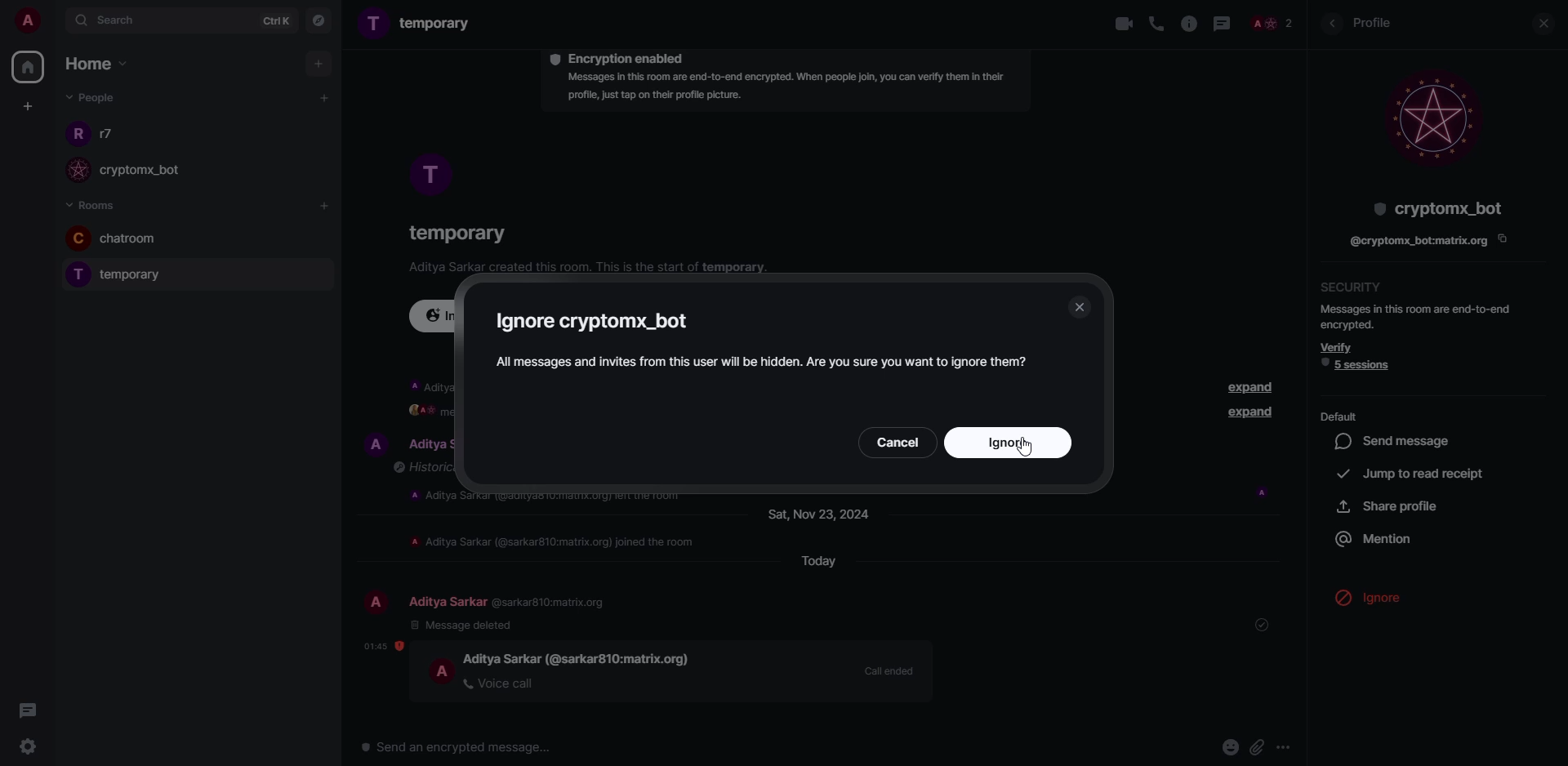 The height and width of the screenshot is (766, 1568). Describe the element at coordinates (373, 442) in the screenshot. I see `profile` at that location.